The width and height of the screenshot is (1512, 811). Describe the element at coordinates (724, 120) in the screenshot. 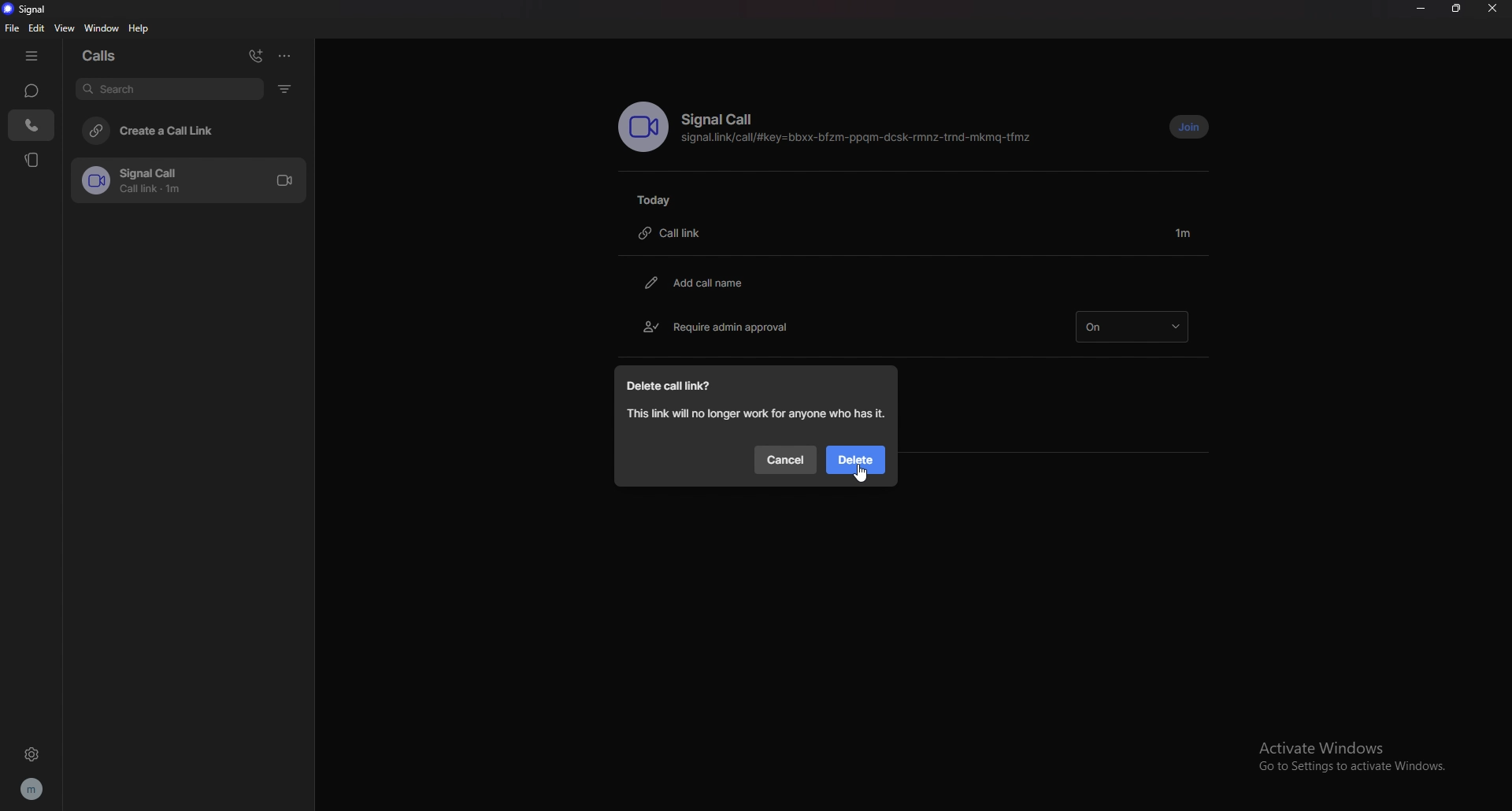

I see `signal call` at that location.